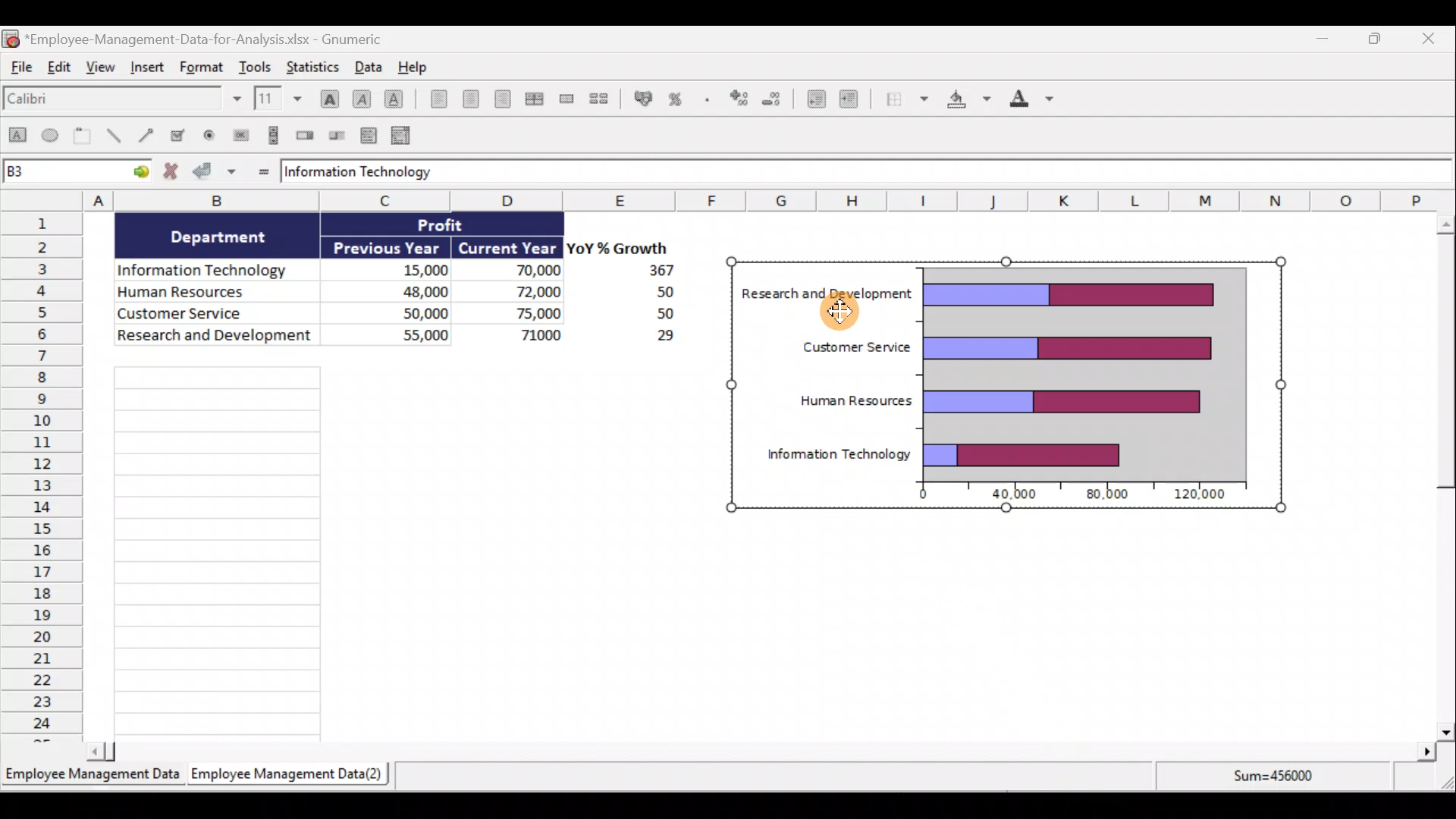 This screenshot has height=819, width=1456. What do you see at coordinates (502, 99) in the screenshot?
I see `Align right` at bounding box center [502, 99].